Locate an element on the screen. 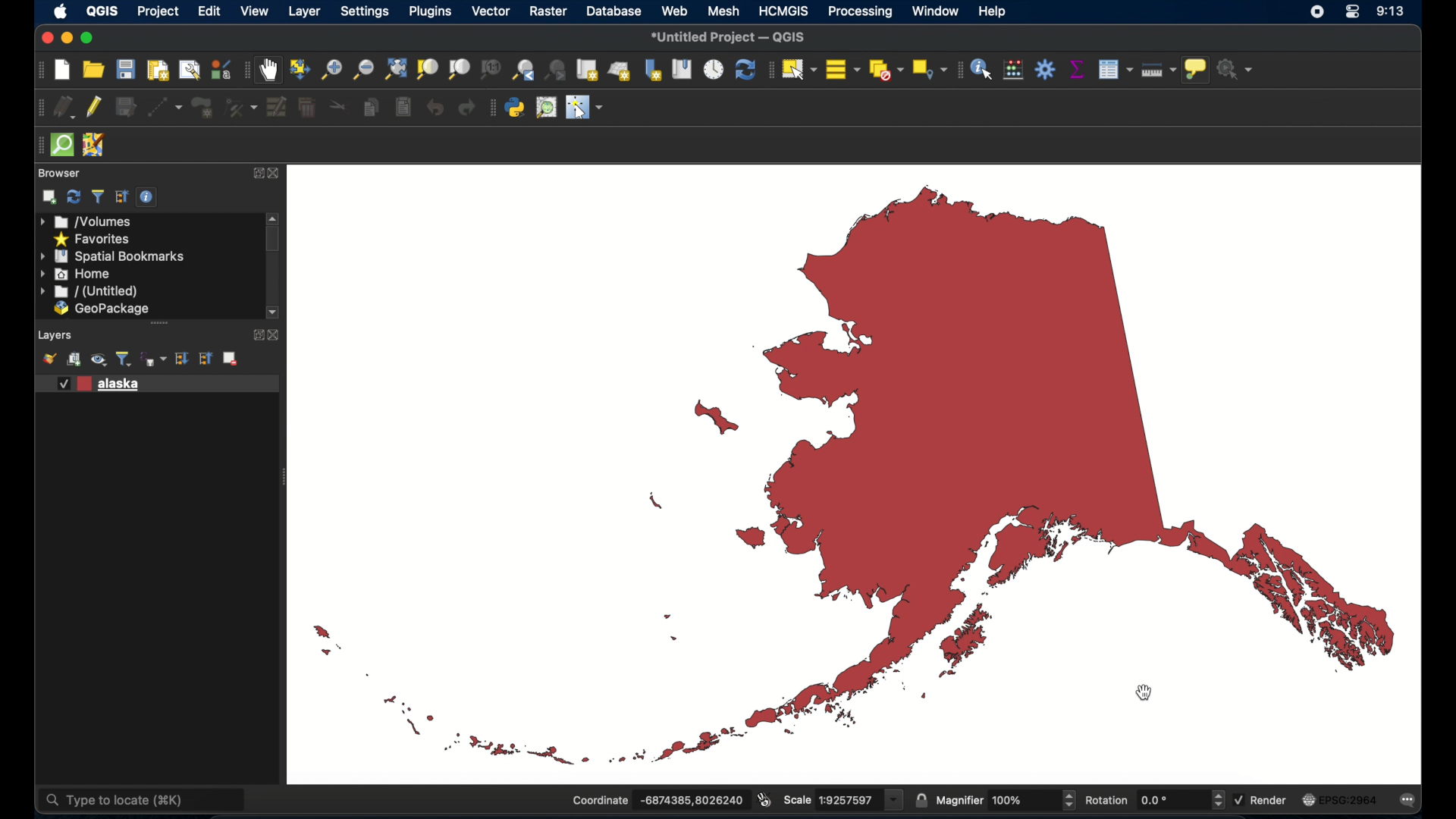  add group is located at coordinates (74, 360).